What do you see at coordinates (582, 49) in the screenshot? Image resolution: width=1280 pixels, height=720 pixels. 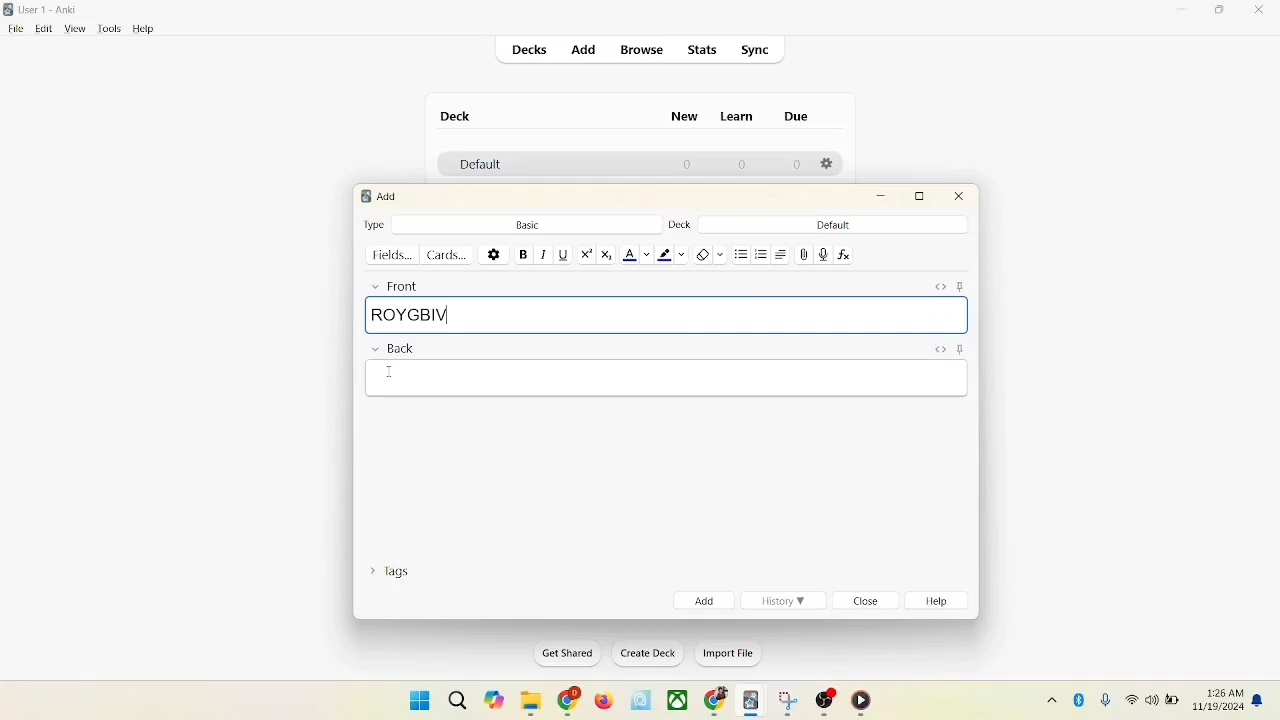 I see `add` at bounding box center [582, 49].